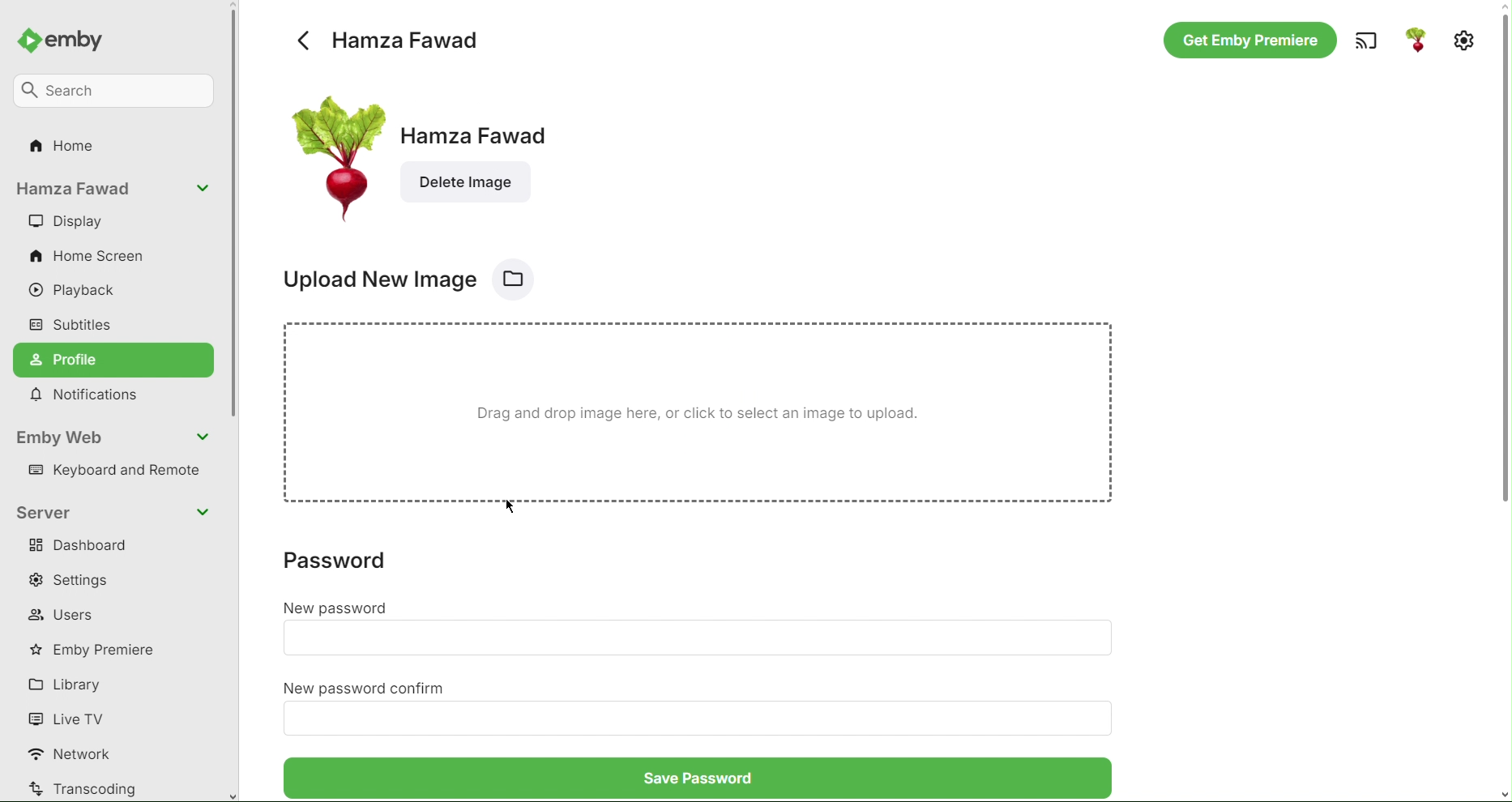  I want to click on Save Password, so click(692, 783).